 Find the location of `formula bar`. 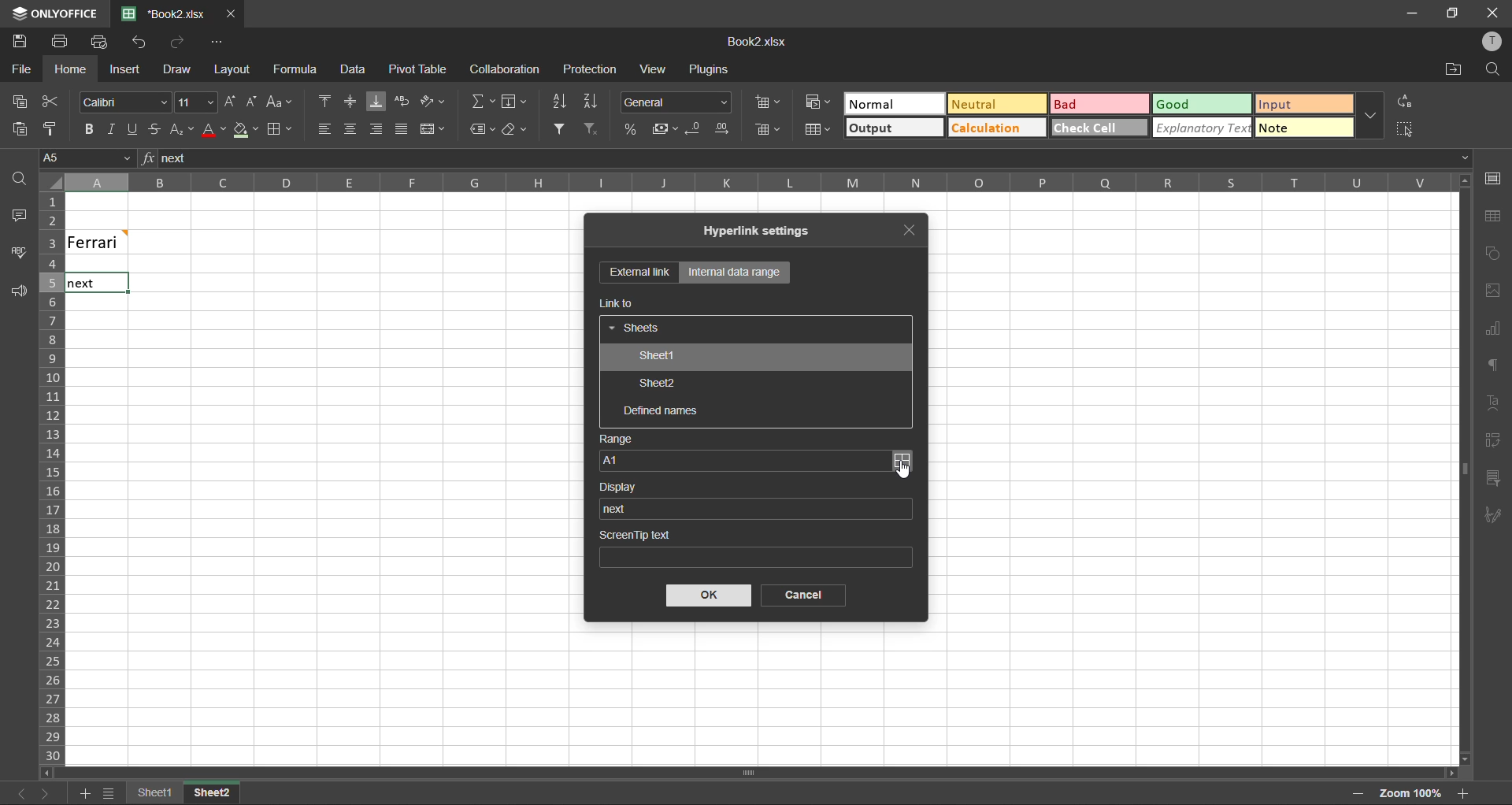

formula bar is located at coordinates (813, 158).